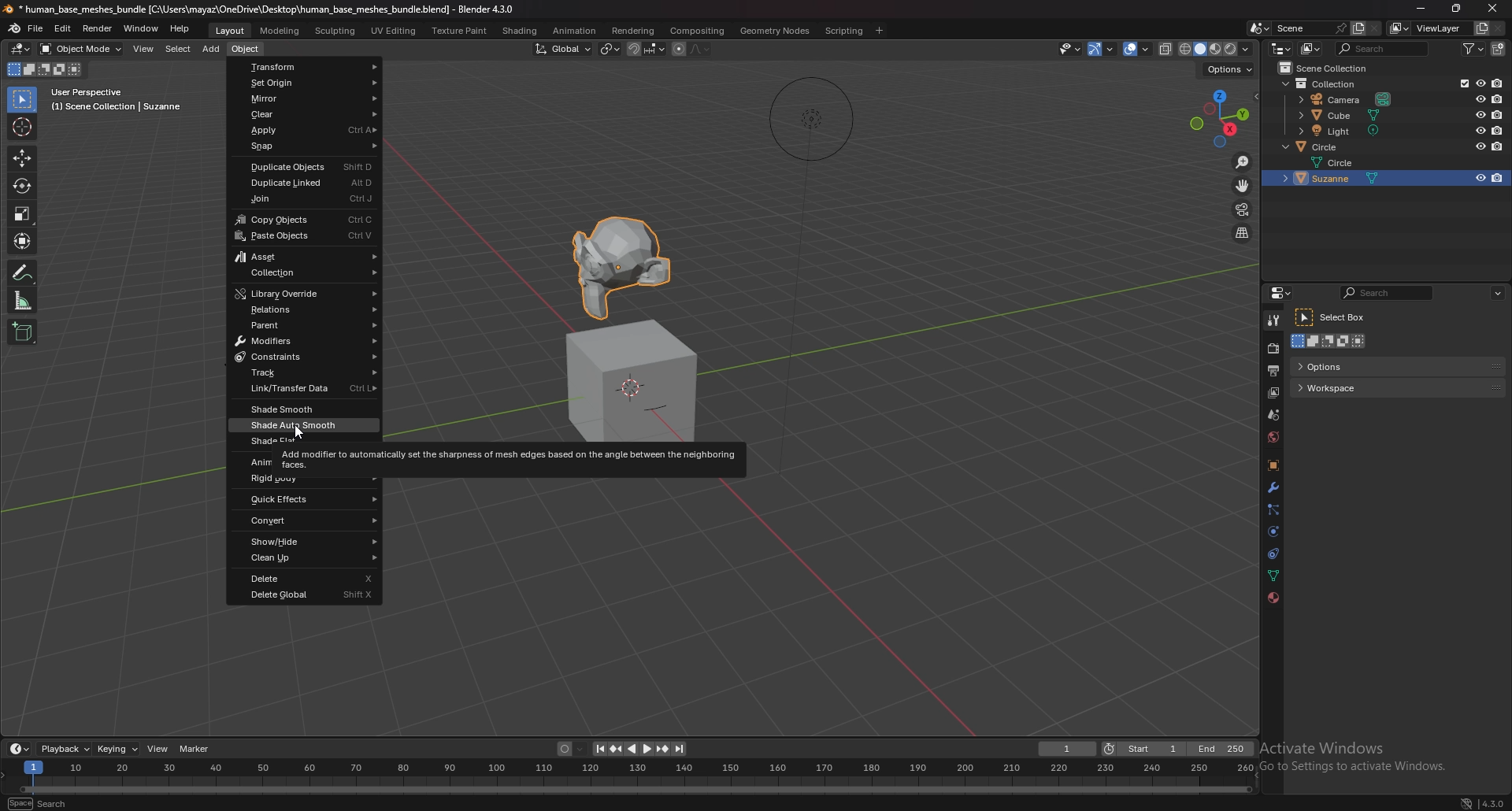 This screenshot has height=811, width=1512. What do you see at coordinates (617, 749) in the screenshot?
I see `jump to keyframe` at bounding box center [617, 749].